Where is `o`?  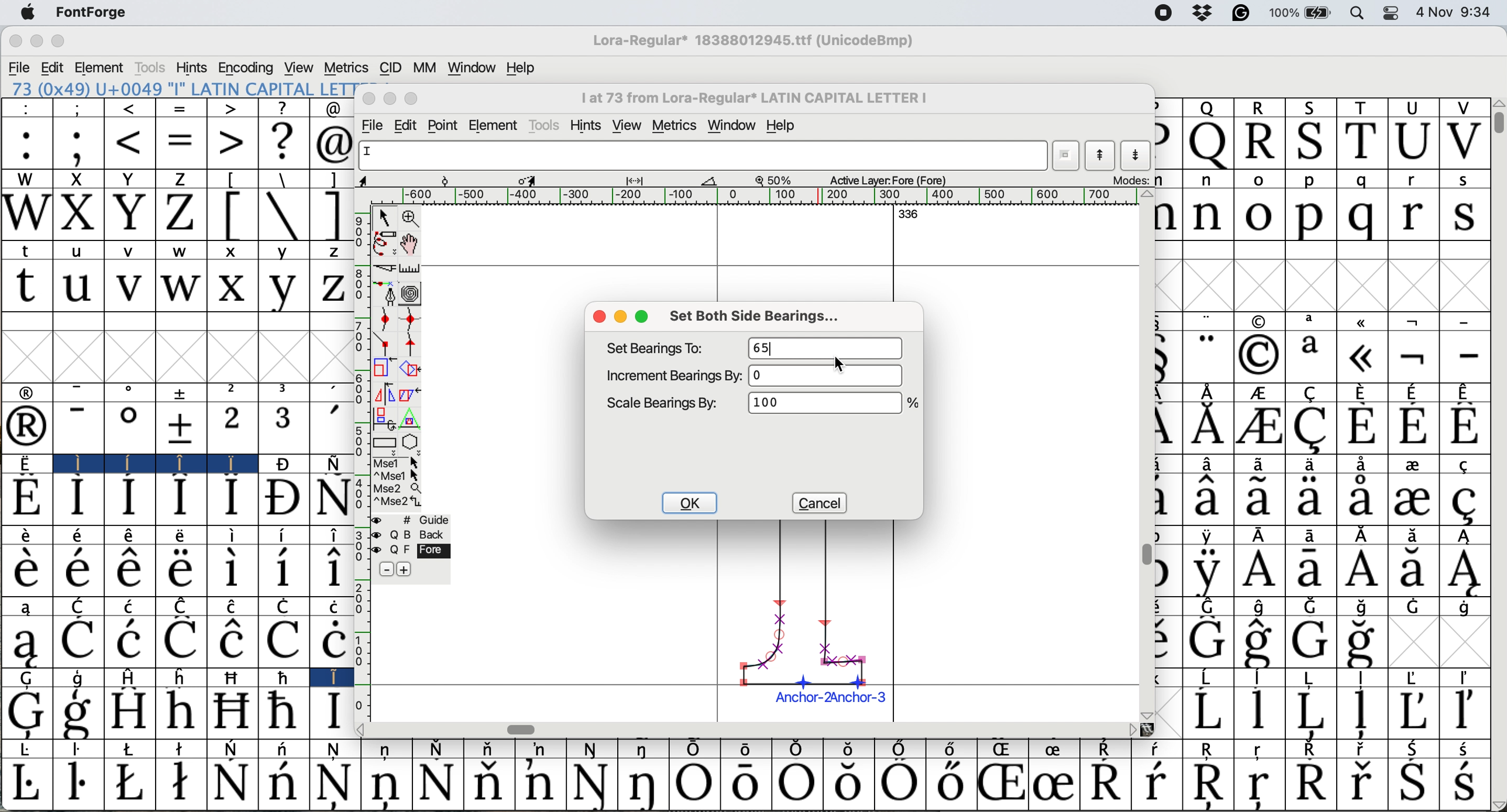 o is located at coordinates (130, 393).